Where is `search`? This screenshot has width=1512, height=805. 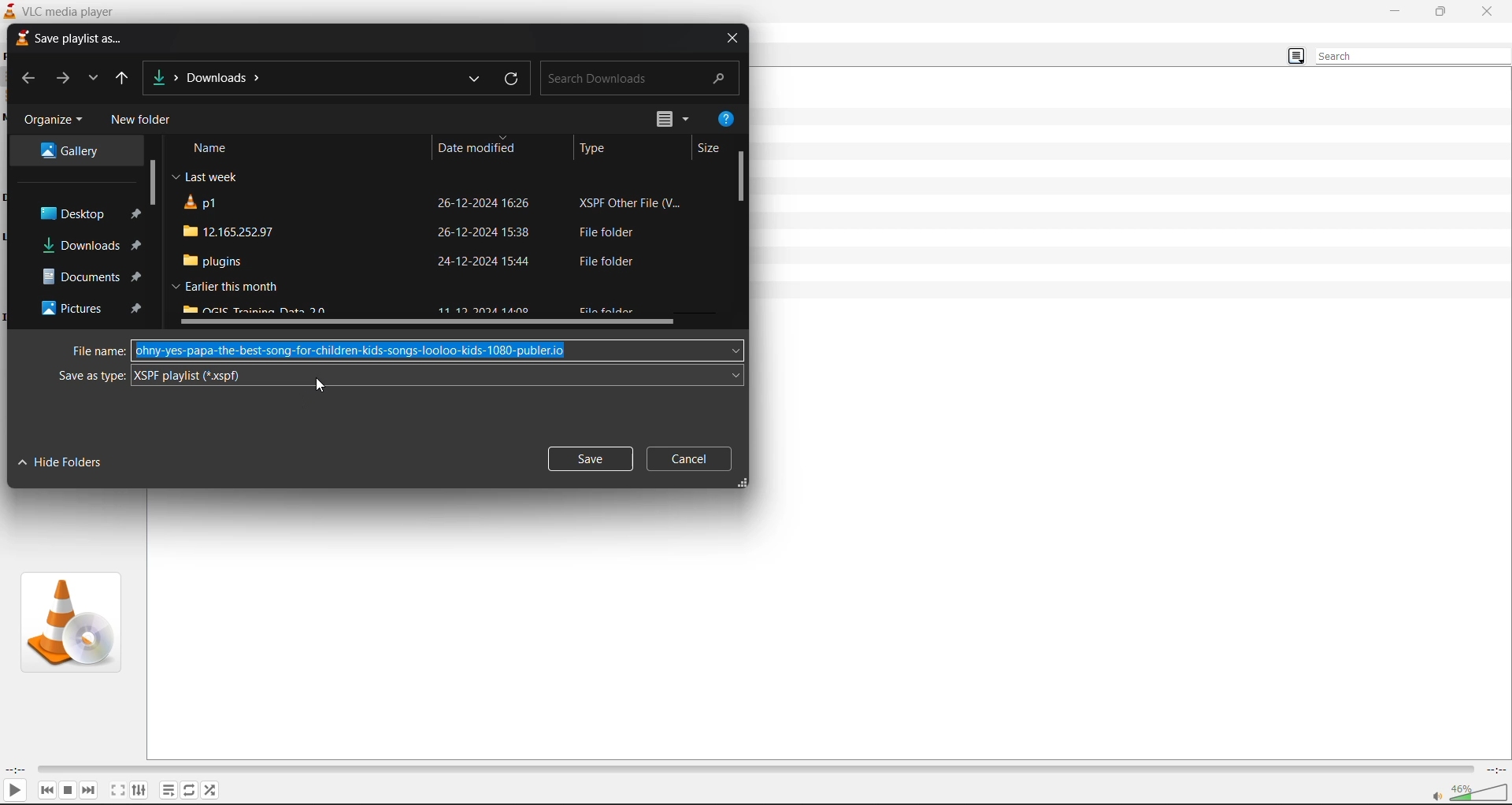
search is located at coordinates (1413, 57).